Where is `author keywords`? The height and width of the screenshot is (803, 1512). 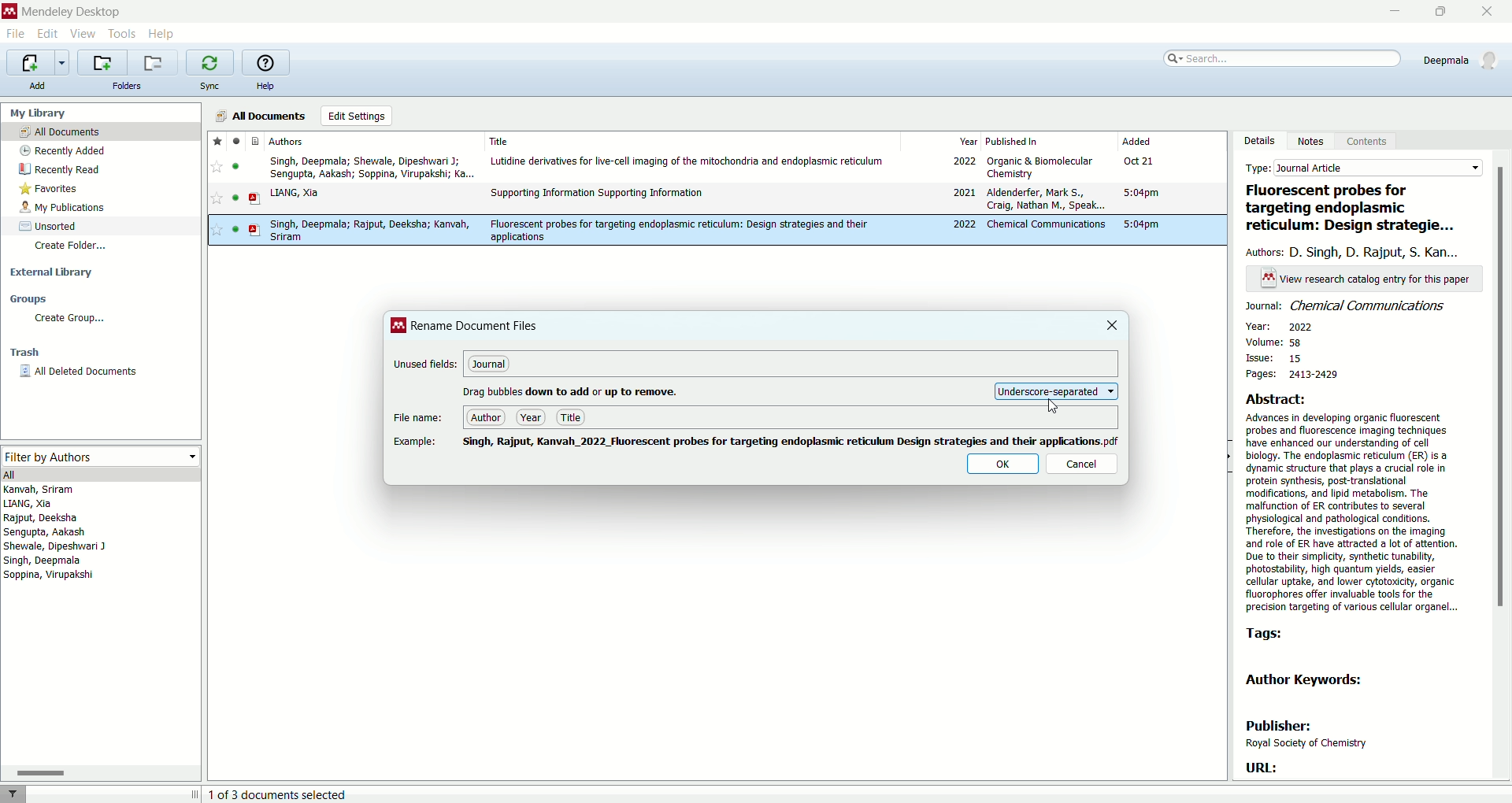 author keywords is located at coordinates (1305, 681).